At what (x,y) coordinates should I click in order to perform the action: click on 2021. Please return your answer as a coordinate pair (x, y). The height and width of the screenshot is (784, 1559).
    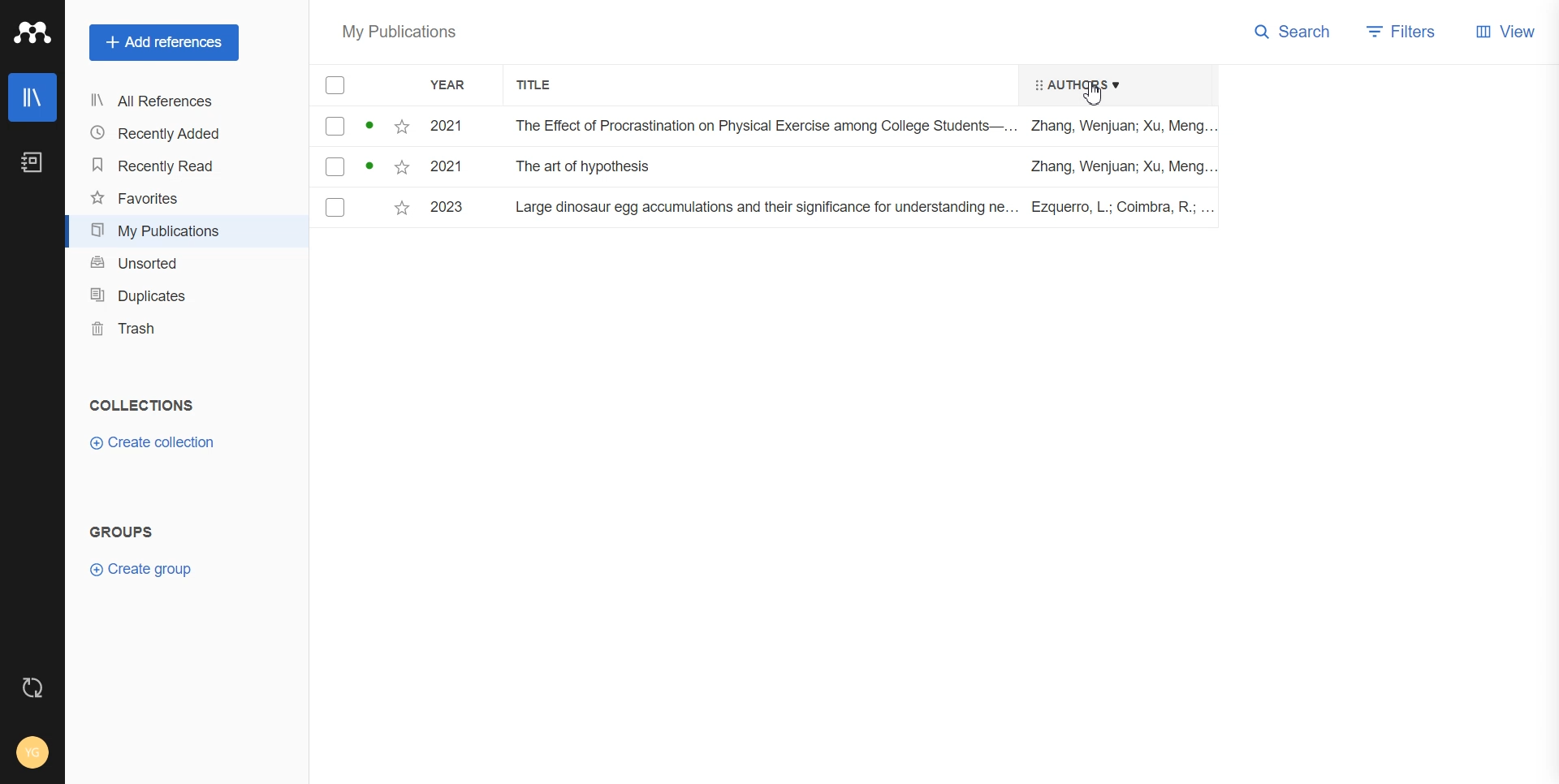
    Looking at the image, I should click on (445, 167).